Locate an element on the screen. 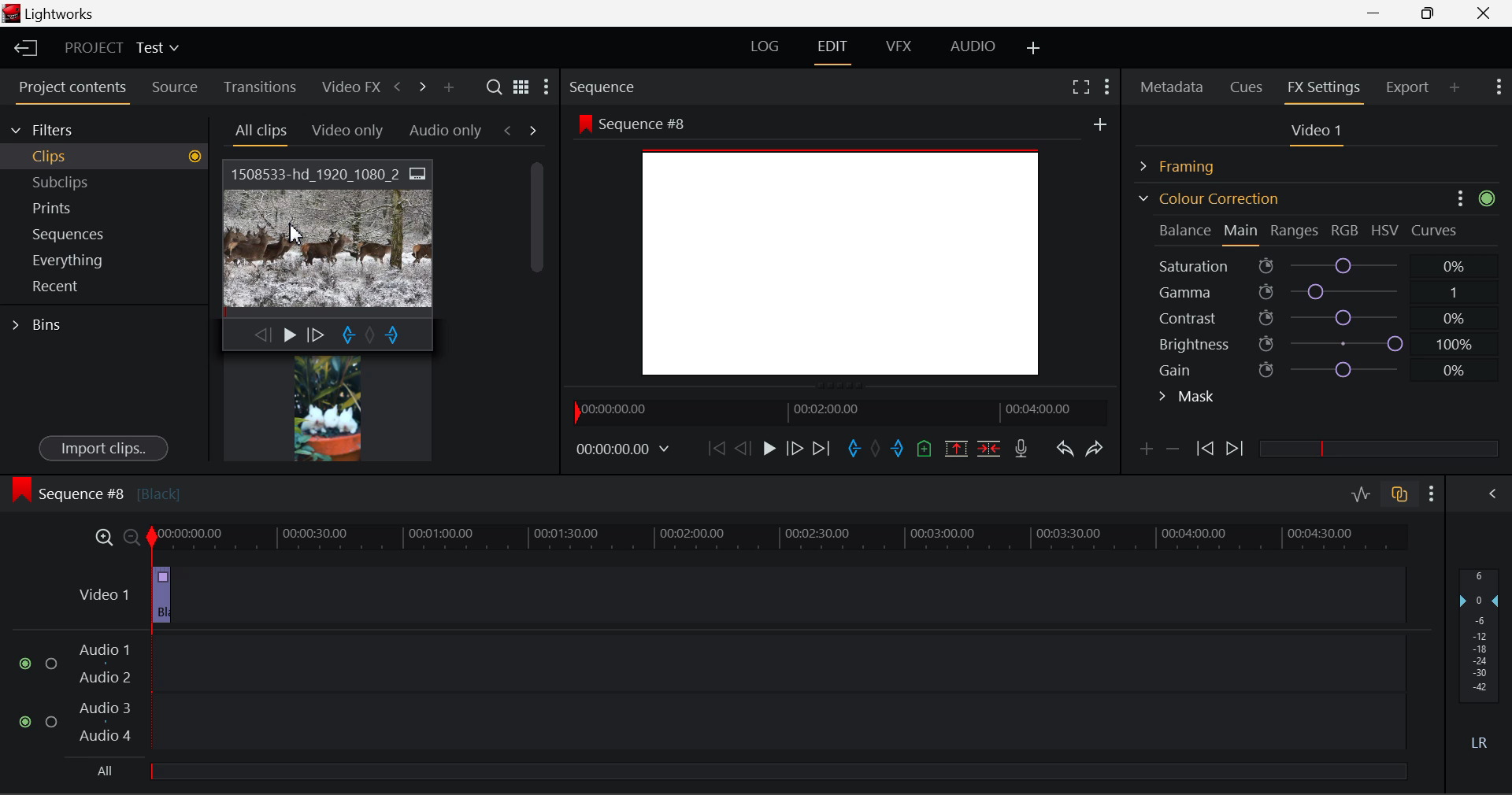  Add keyframe is located at coordinates (1143, 452).